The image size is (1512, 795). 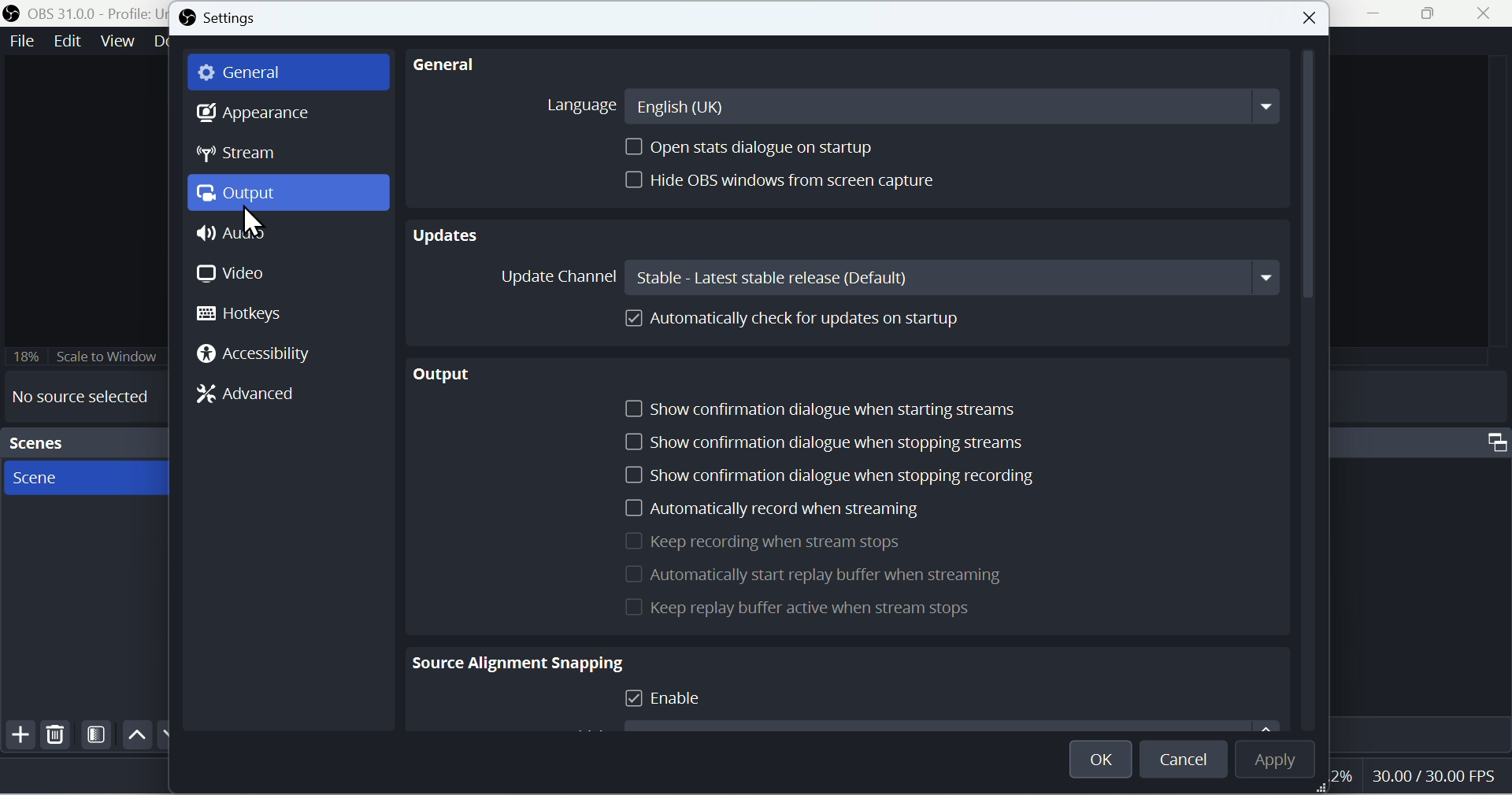 What do you see at coordinates (20, 42) in the screenshot?
I see `File` at bounding box center [20, 42].